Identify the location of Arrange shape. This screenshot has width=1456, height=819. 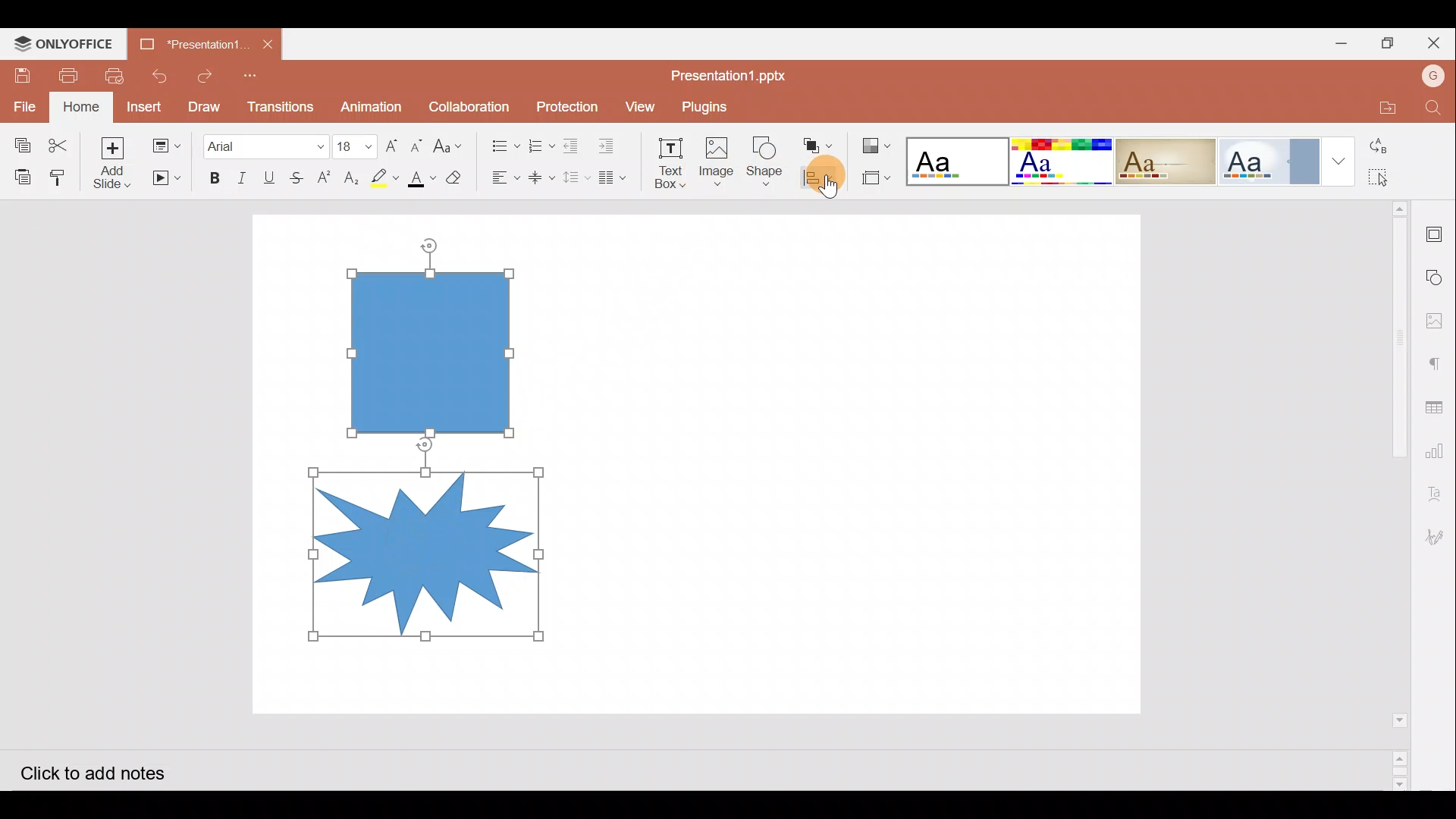
(819, 141).